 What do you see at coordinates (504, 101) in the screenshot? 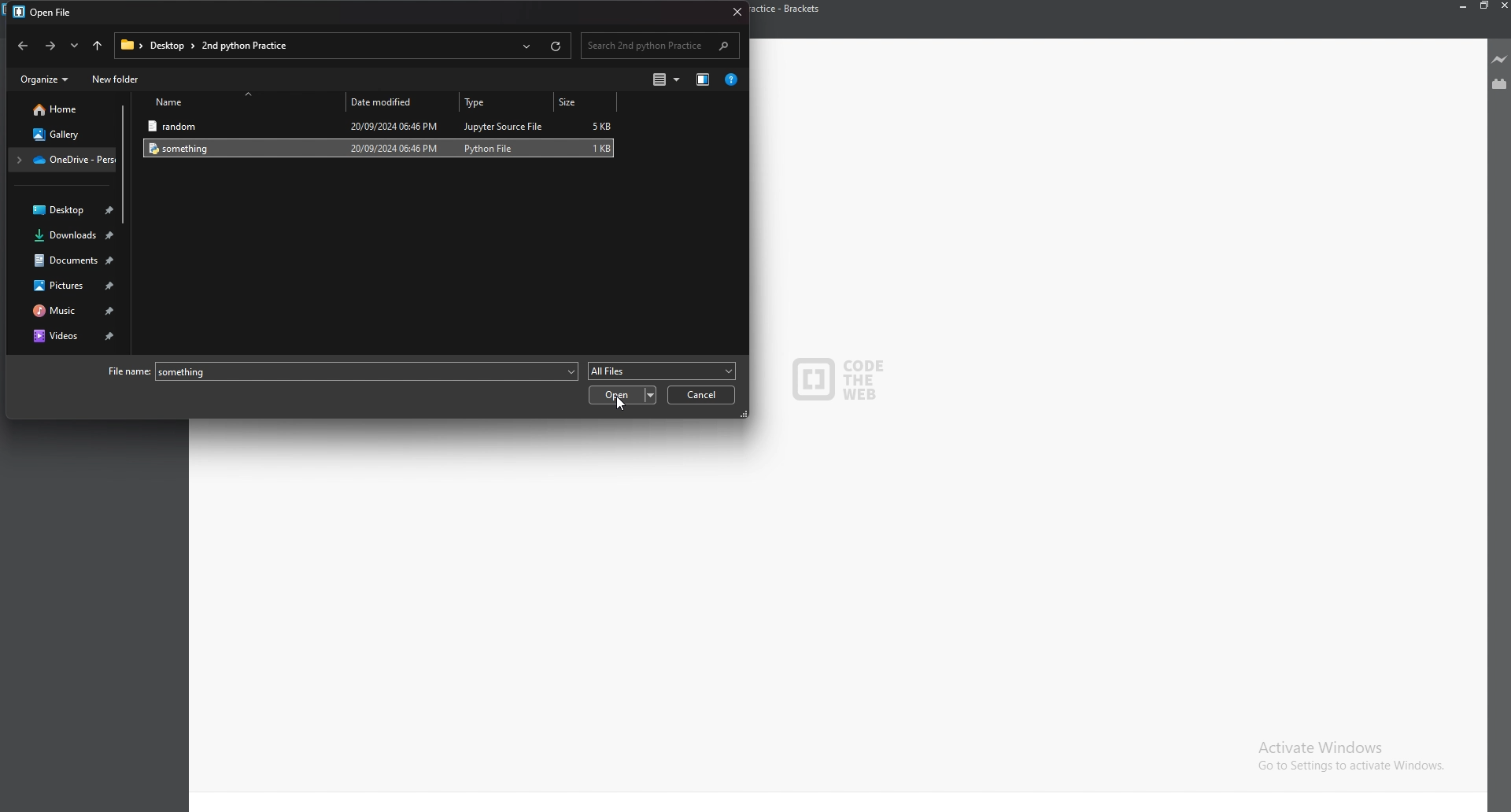
I see `type` at bounding box center [504, 101].